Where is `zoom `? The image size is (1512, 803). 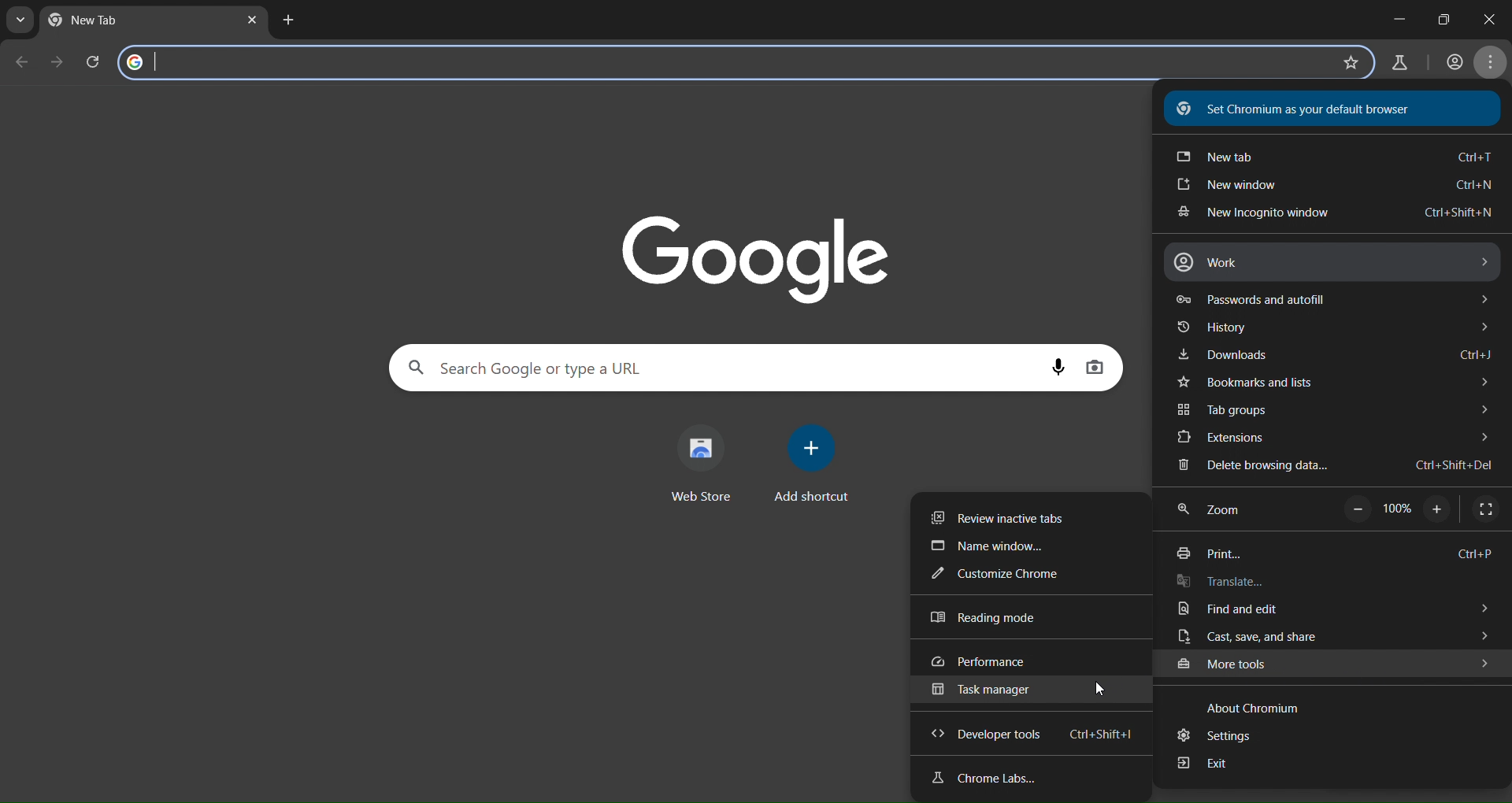 zoom  is located at coordinates (1340, 509).